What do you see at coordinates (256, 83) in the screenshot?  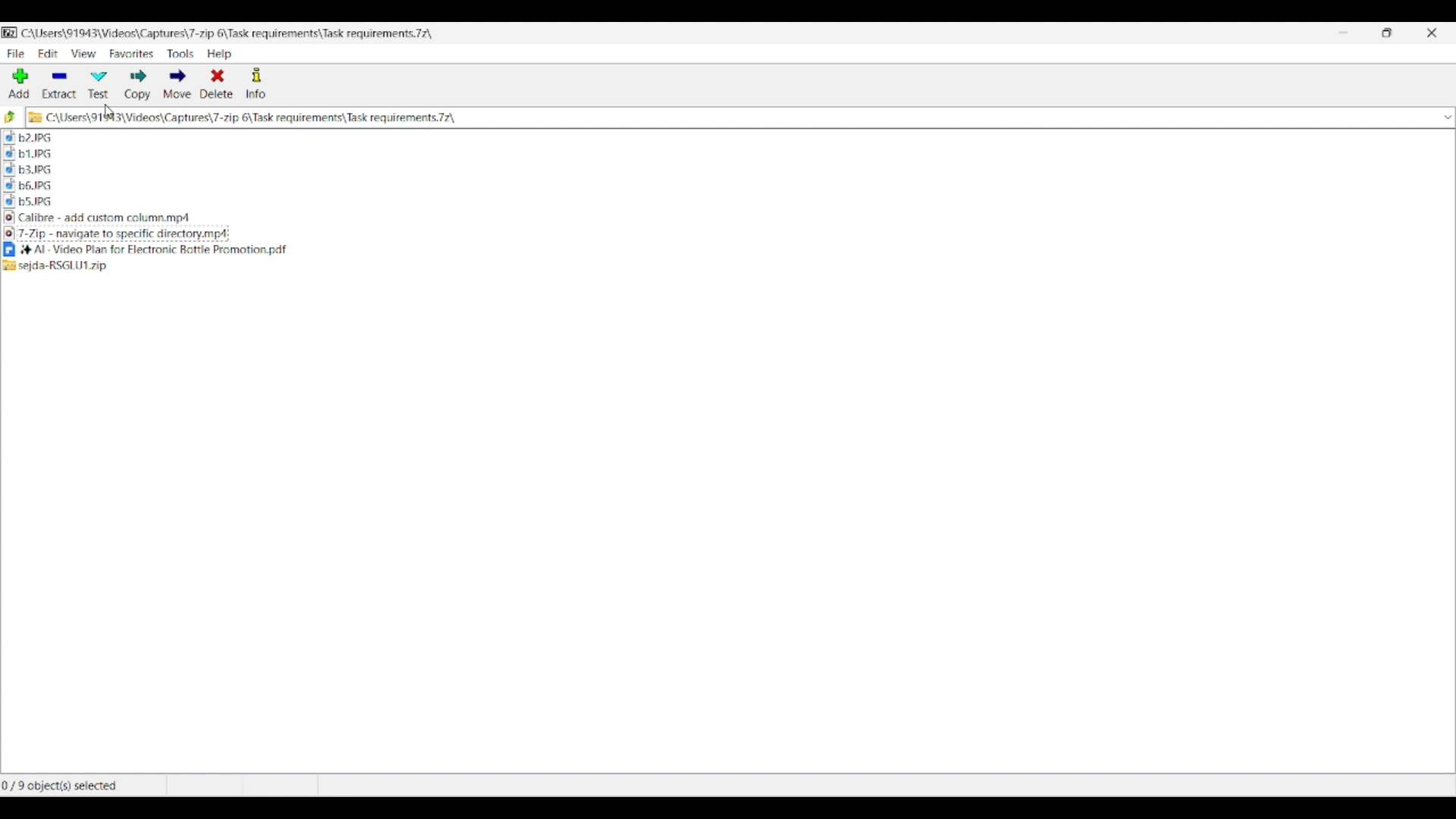 I see `Info` at bounding box center [256, 83].